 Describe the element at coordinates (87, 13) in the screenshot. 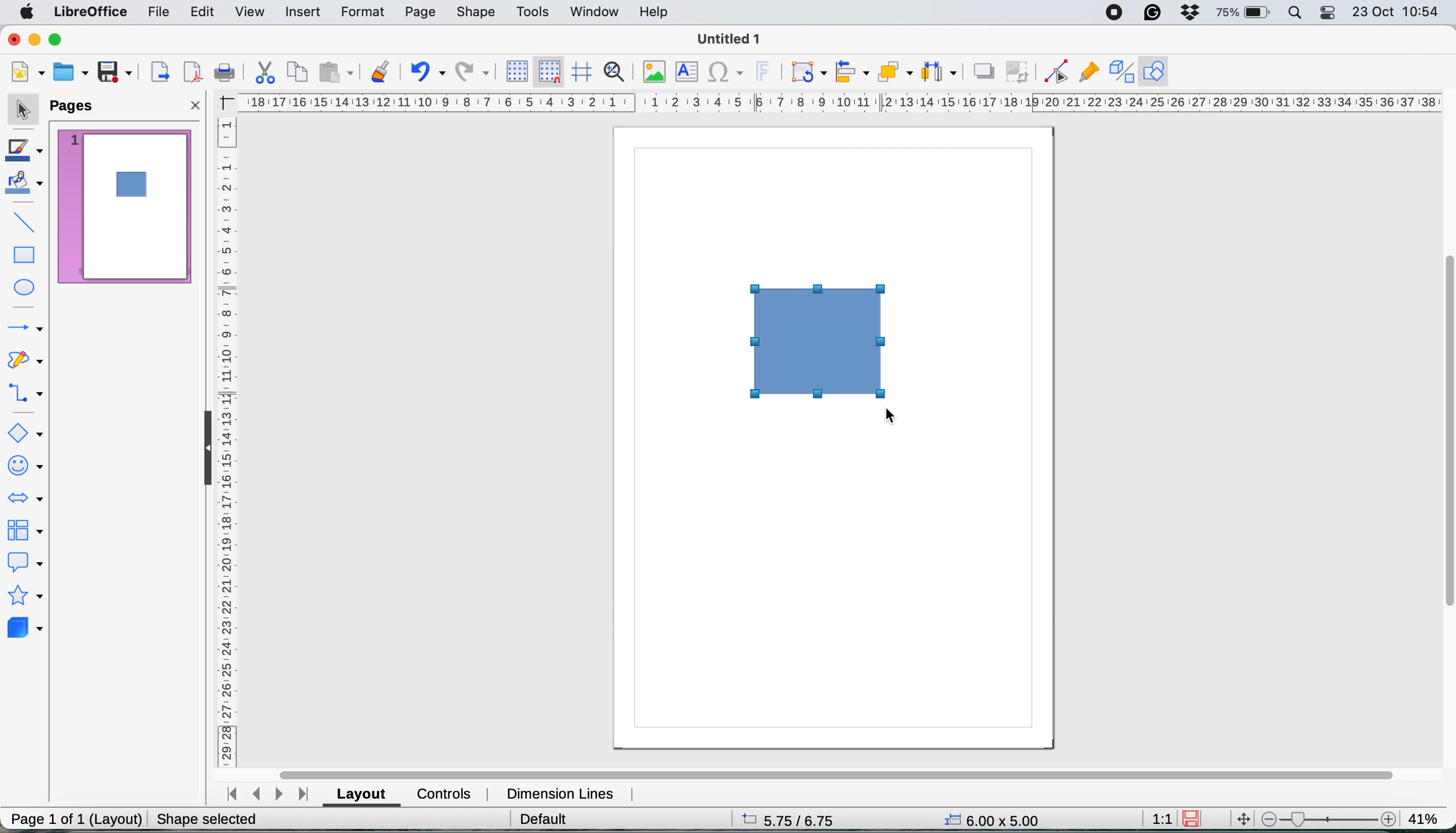

I see `libreoffice` at that location.